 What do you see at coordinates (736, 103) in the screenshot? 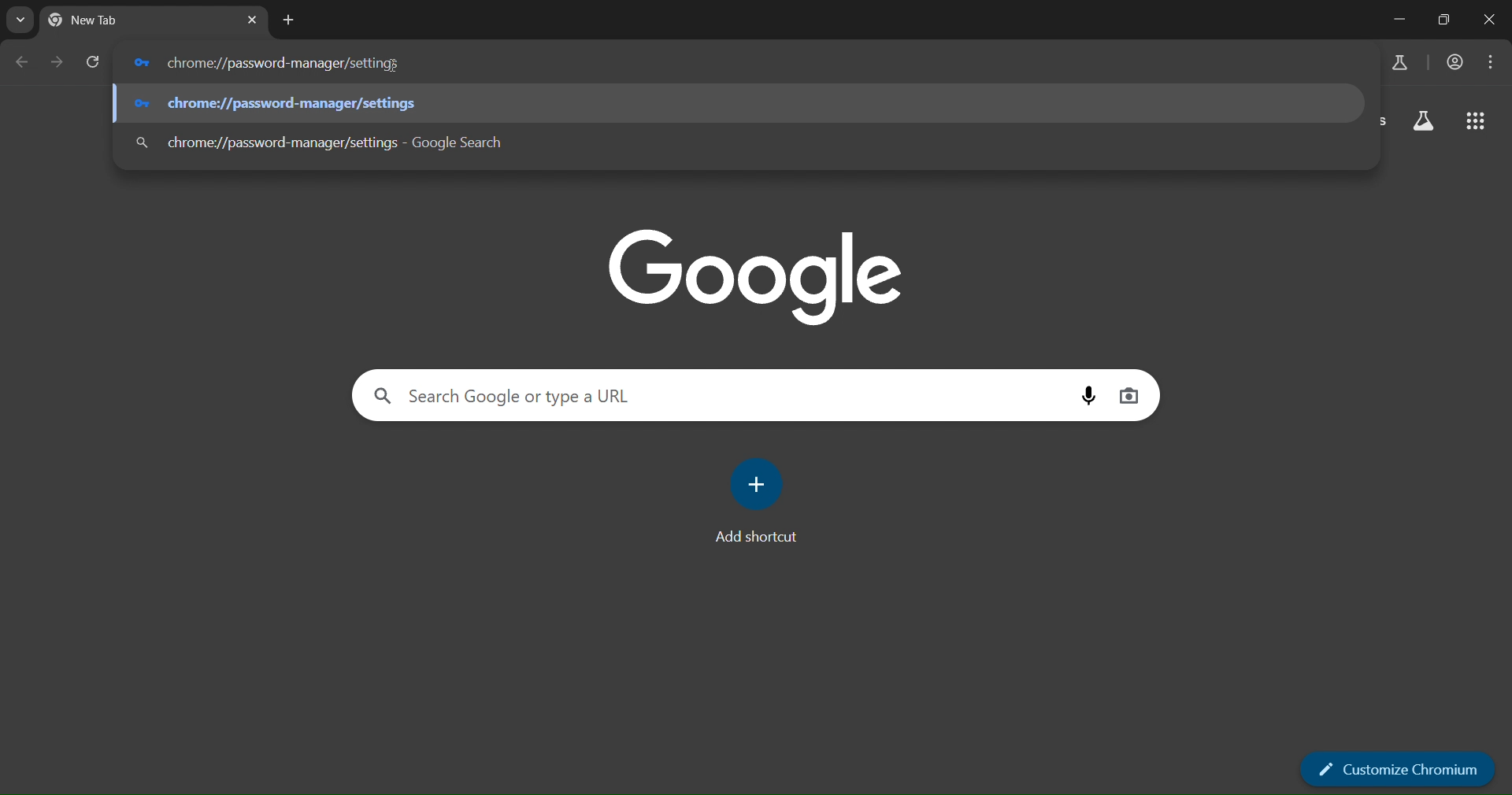
I see `chrome://password-manager/settings` at bounding box center [736, 103].